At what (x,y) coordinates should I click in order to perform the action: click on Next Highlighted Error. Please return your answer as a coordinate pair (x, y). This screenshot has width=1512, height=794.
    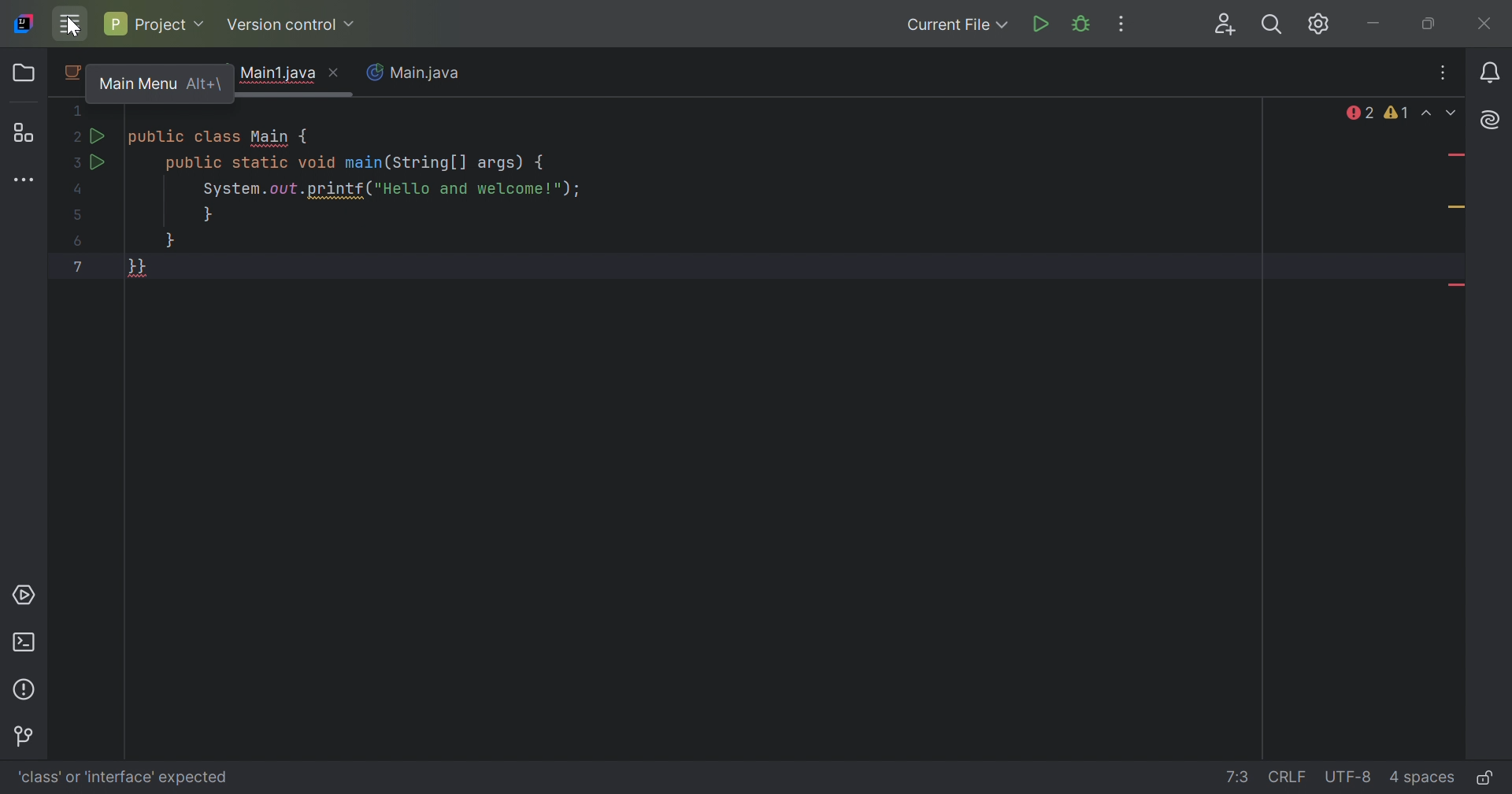
    Looking at the image, I should click on (1454, 113).